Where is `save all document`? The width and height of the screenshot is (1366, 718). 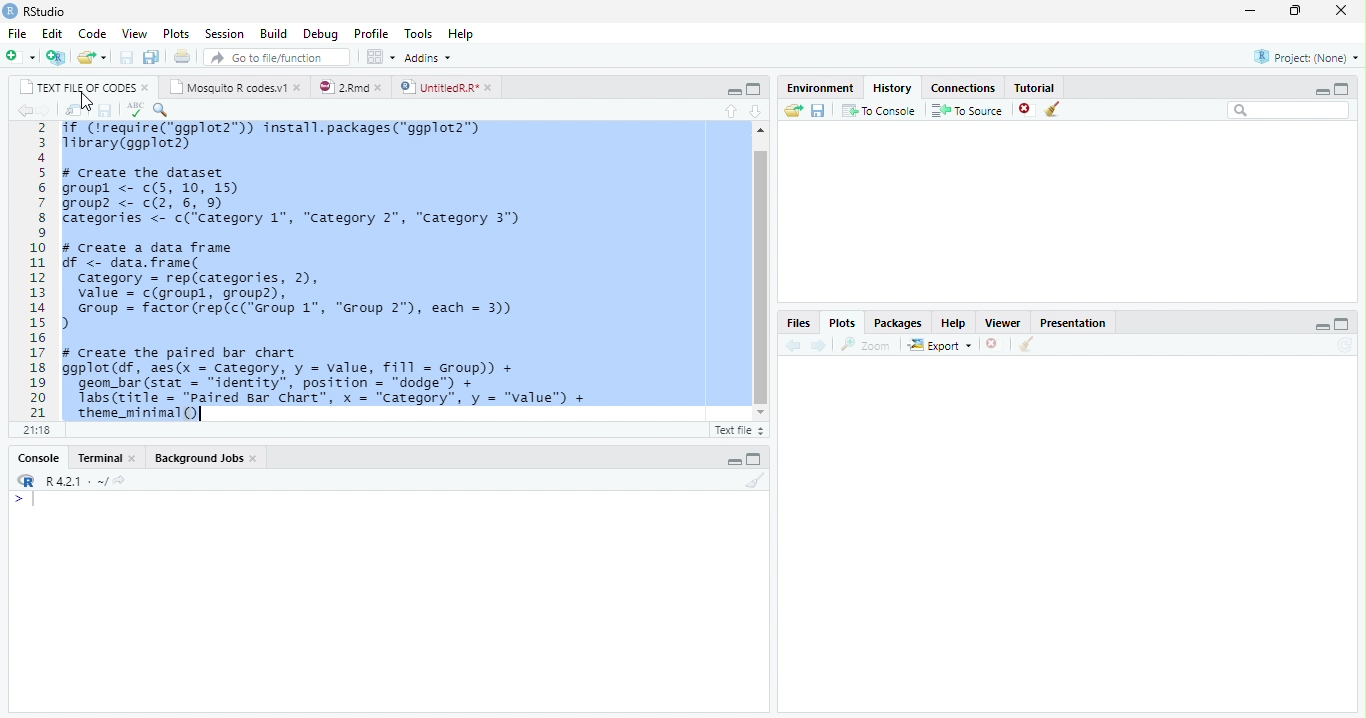
save all document is located at coordinates (153, 56).